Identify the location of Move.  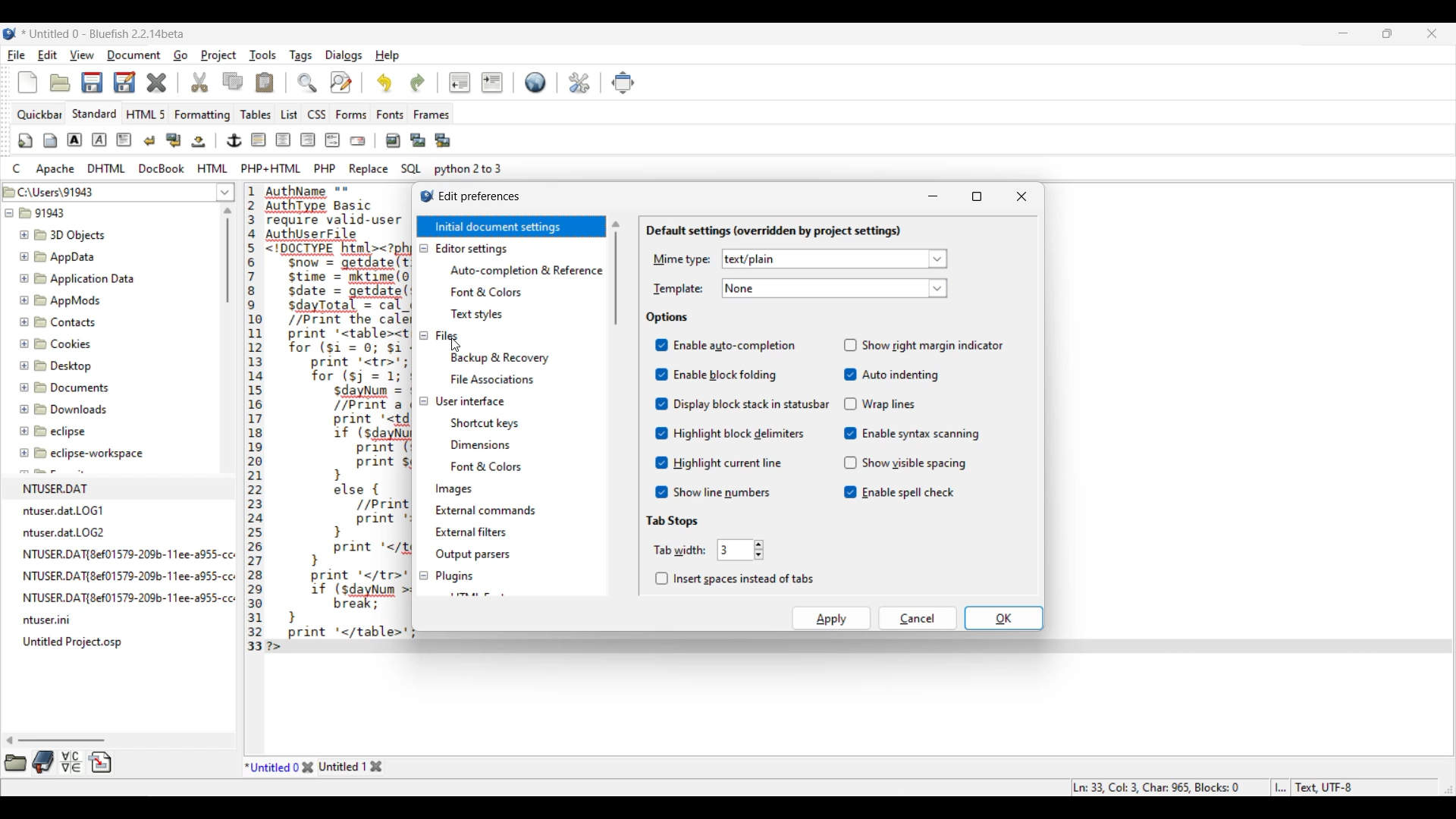
(623, 83).